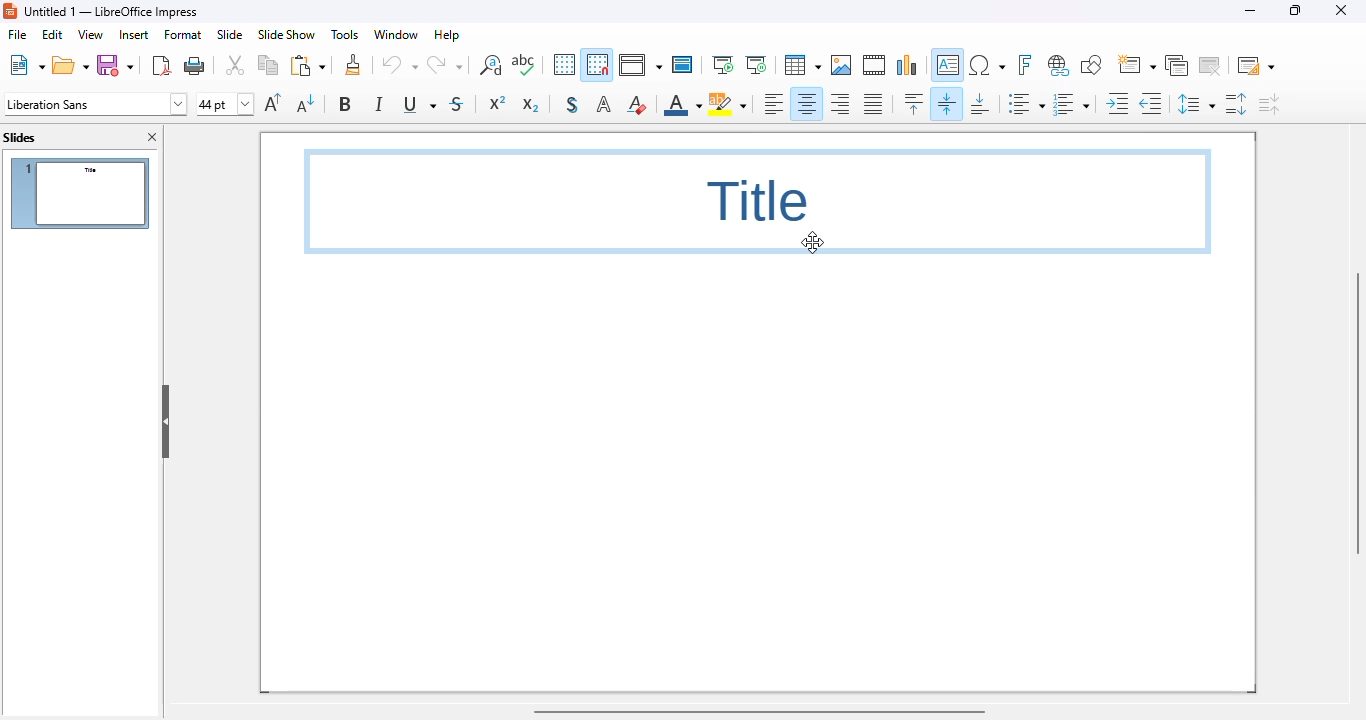 This screenshot has height=720, width=1366. What do you see at coordinates (1341, 10) in the screenshot?
I see `close` at bounding box center [1341, 10].